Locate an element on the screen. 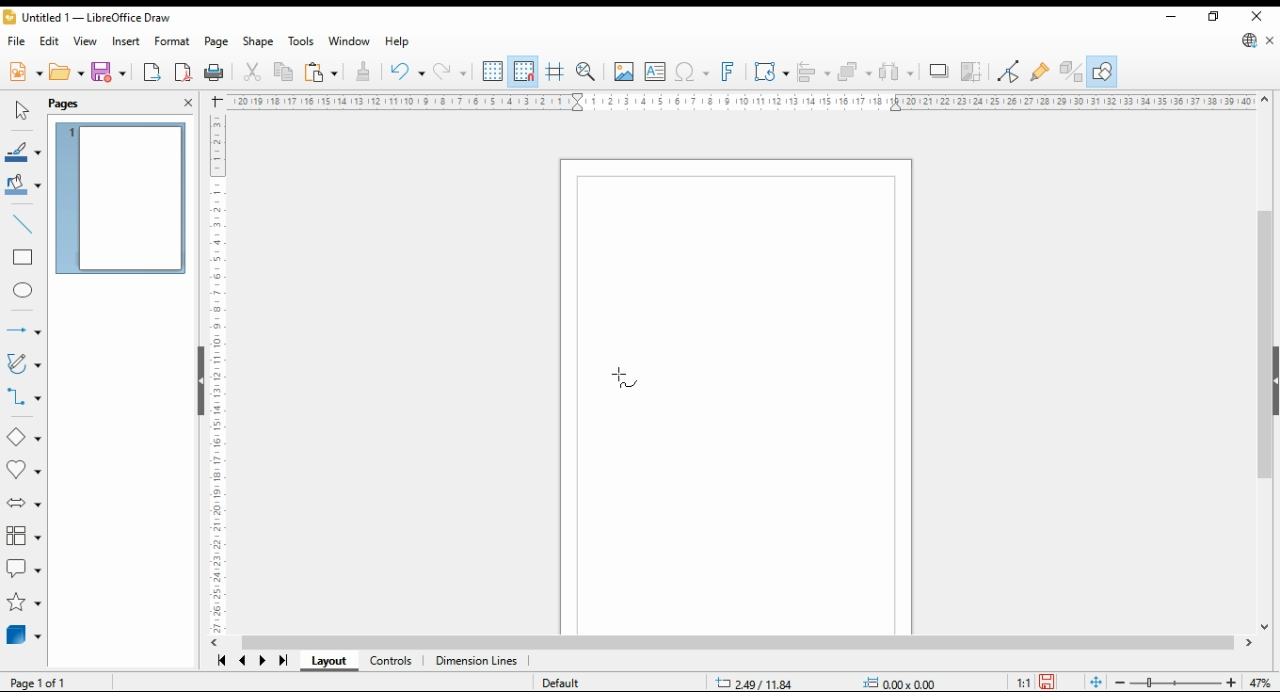 This screenshot has height=692, width=1280. scroll bar is located at coordinates (741, 643).